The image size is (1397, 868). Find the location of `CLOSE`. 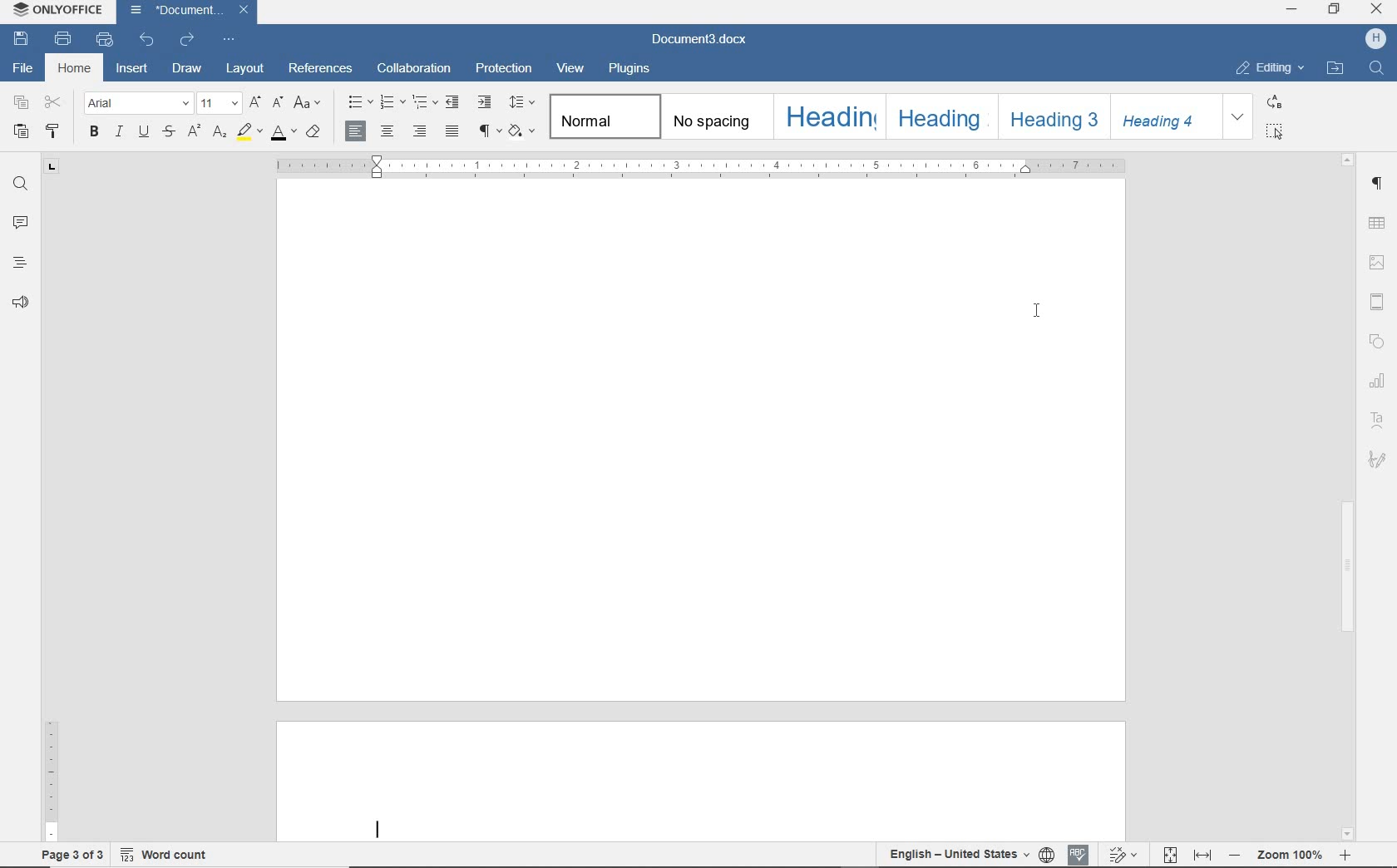

CLOSE is located at coordinates (1377, 12).